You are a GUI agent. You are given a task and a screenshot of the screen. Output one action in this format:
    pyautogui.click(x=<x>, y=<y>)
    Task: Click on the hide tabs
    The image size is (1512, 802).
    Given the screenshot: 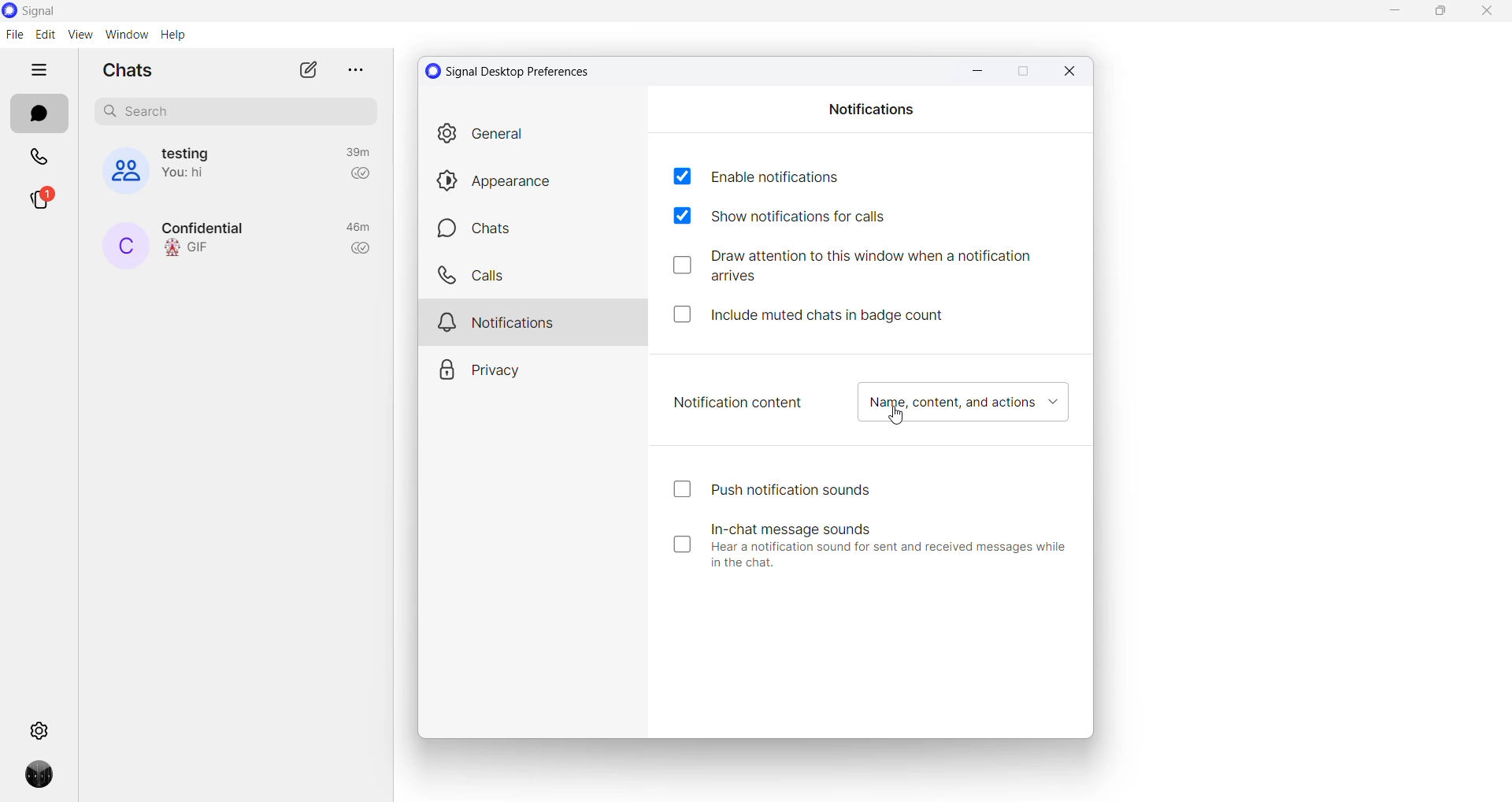 What is the action you would take?
    pyautogui.click(x=42, y=70)
    